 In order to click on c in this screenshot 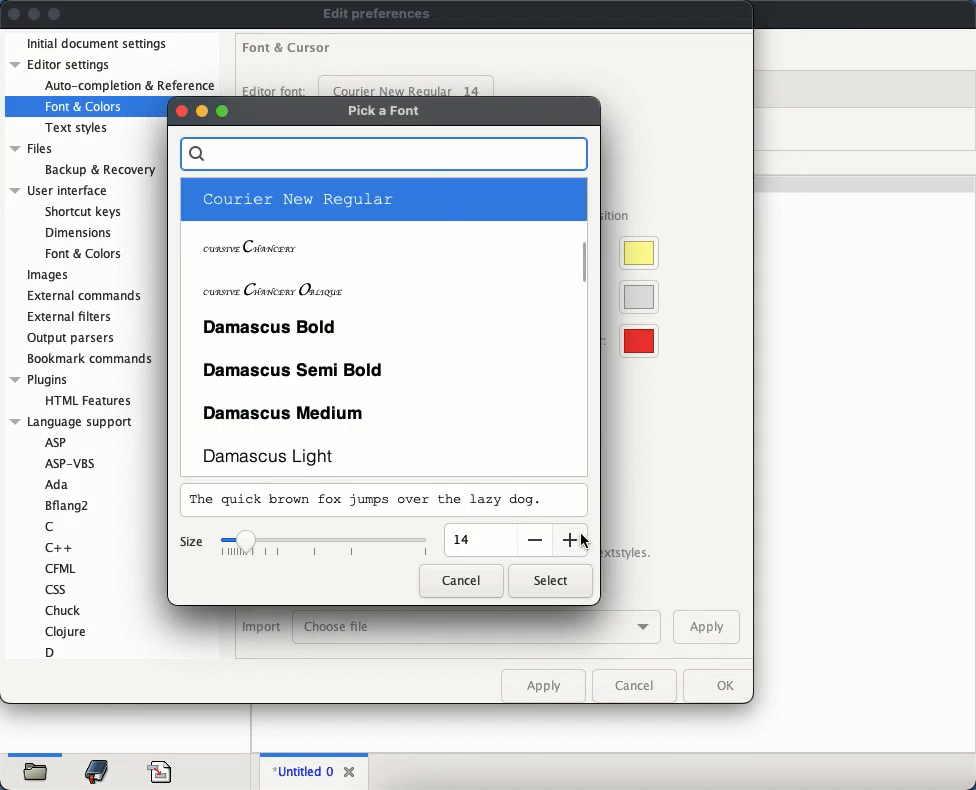, I will do `click(49, 528)`.